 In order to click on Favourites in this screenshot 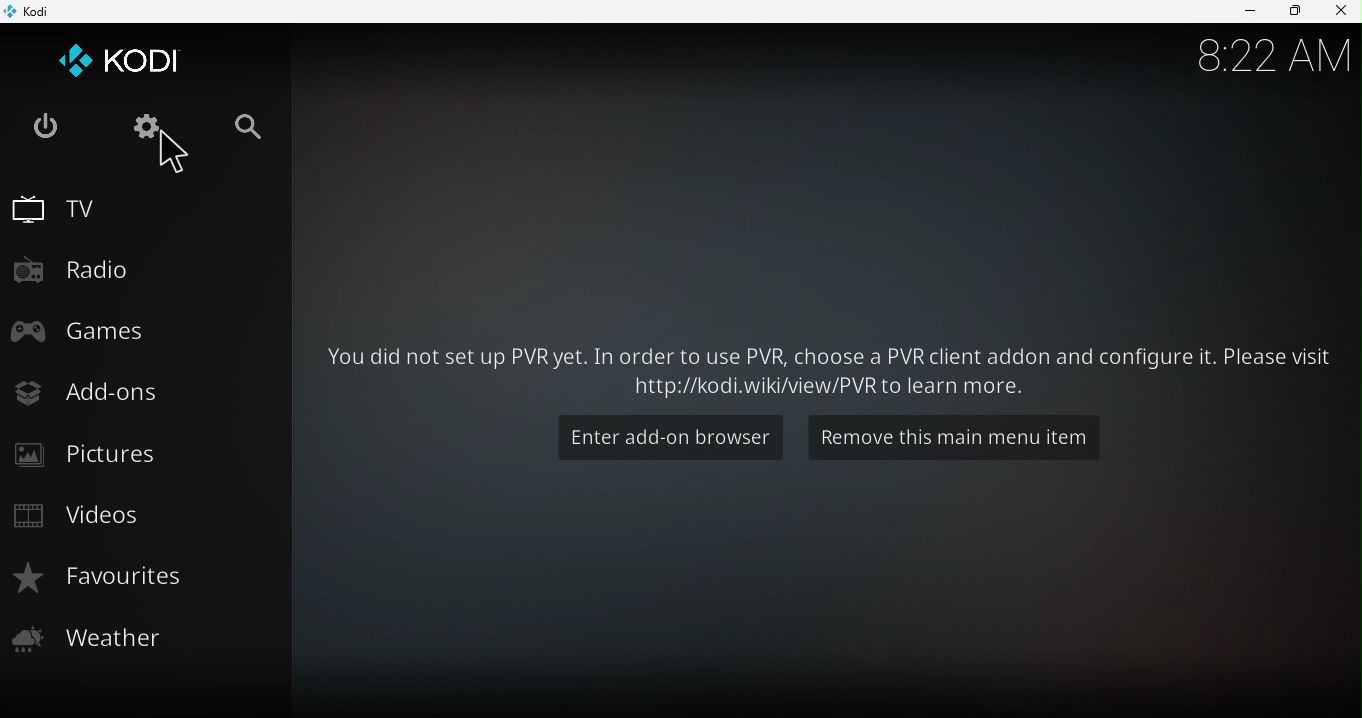, I will do `click(145, 580)`.